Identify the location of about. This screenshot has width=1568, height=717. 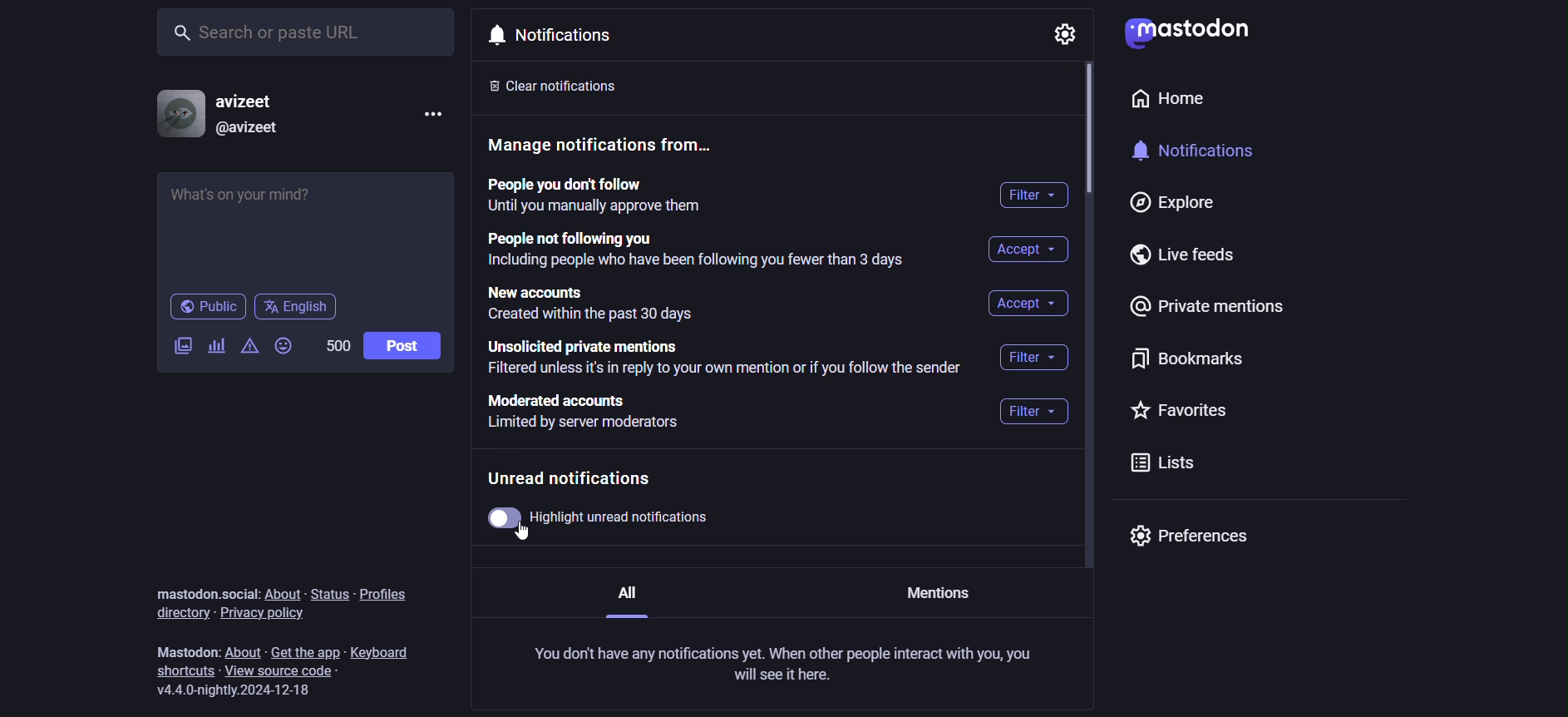
(281, 591).